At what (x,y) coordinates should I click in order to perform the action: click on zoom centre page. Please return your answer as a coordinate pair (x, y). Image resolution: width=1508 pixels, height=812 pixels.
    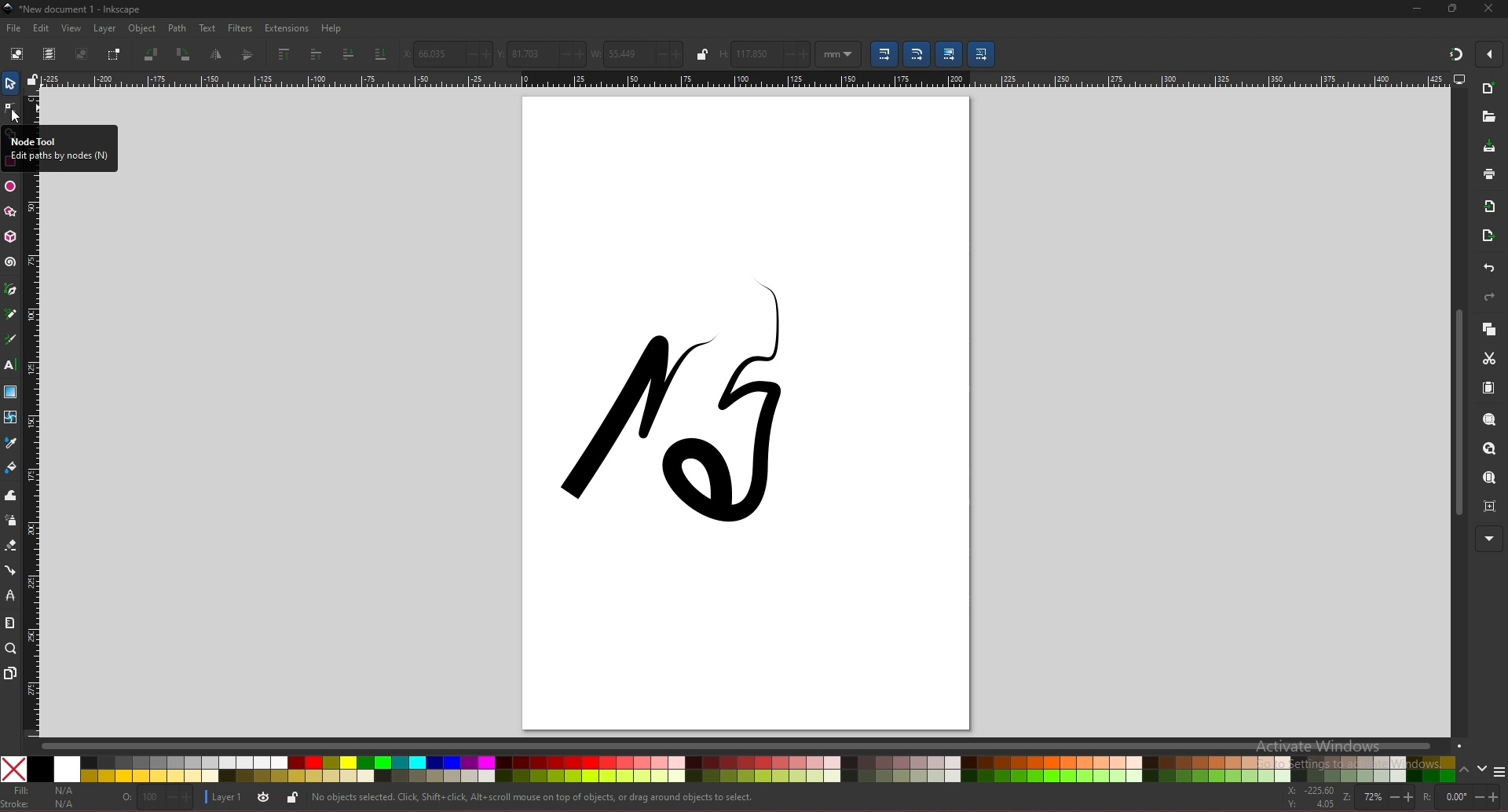
    Looking at the image, I should click on (1490, 506).